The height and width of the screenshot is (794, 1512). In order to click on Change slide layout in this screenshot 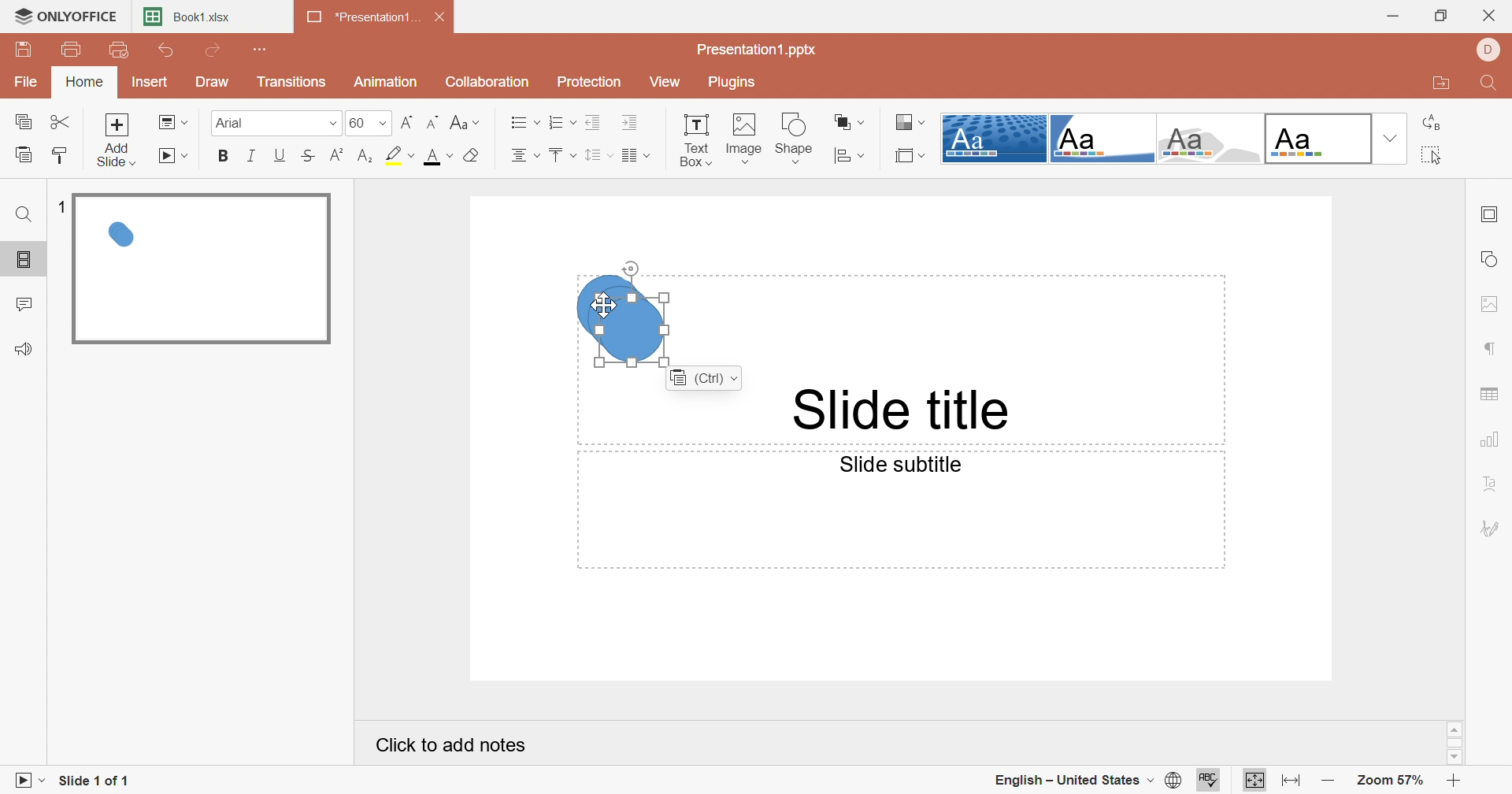, I will do `click(172, 121)`.